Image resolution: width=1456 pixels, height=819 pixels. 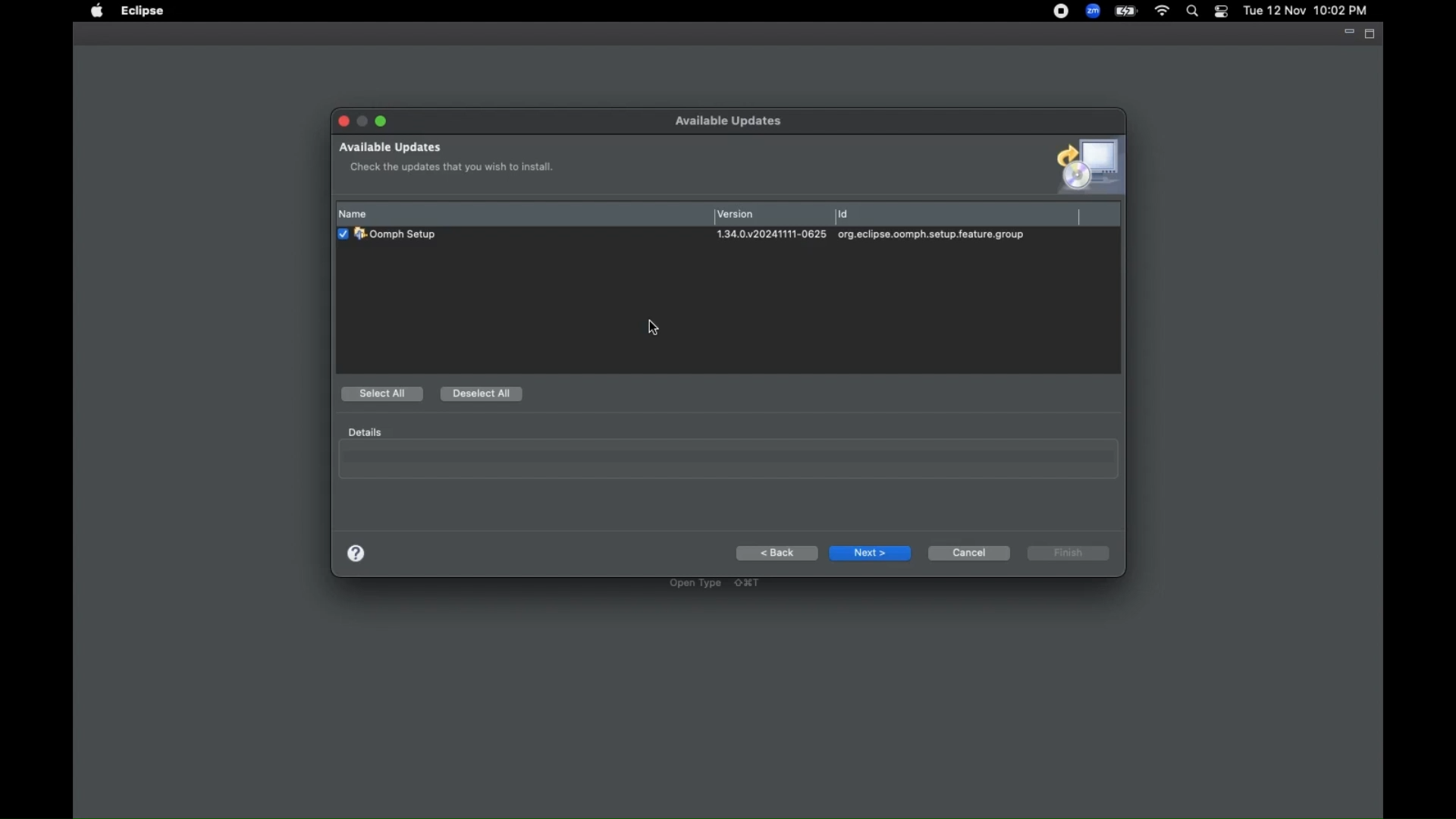 What do you see at coordinates (391, 147) in the screenshot?
I see `Available Updates` at bounding box center [391, 147].